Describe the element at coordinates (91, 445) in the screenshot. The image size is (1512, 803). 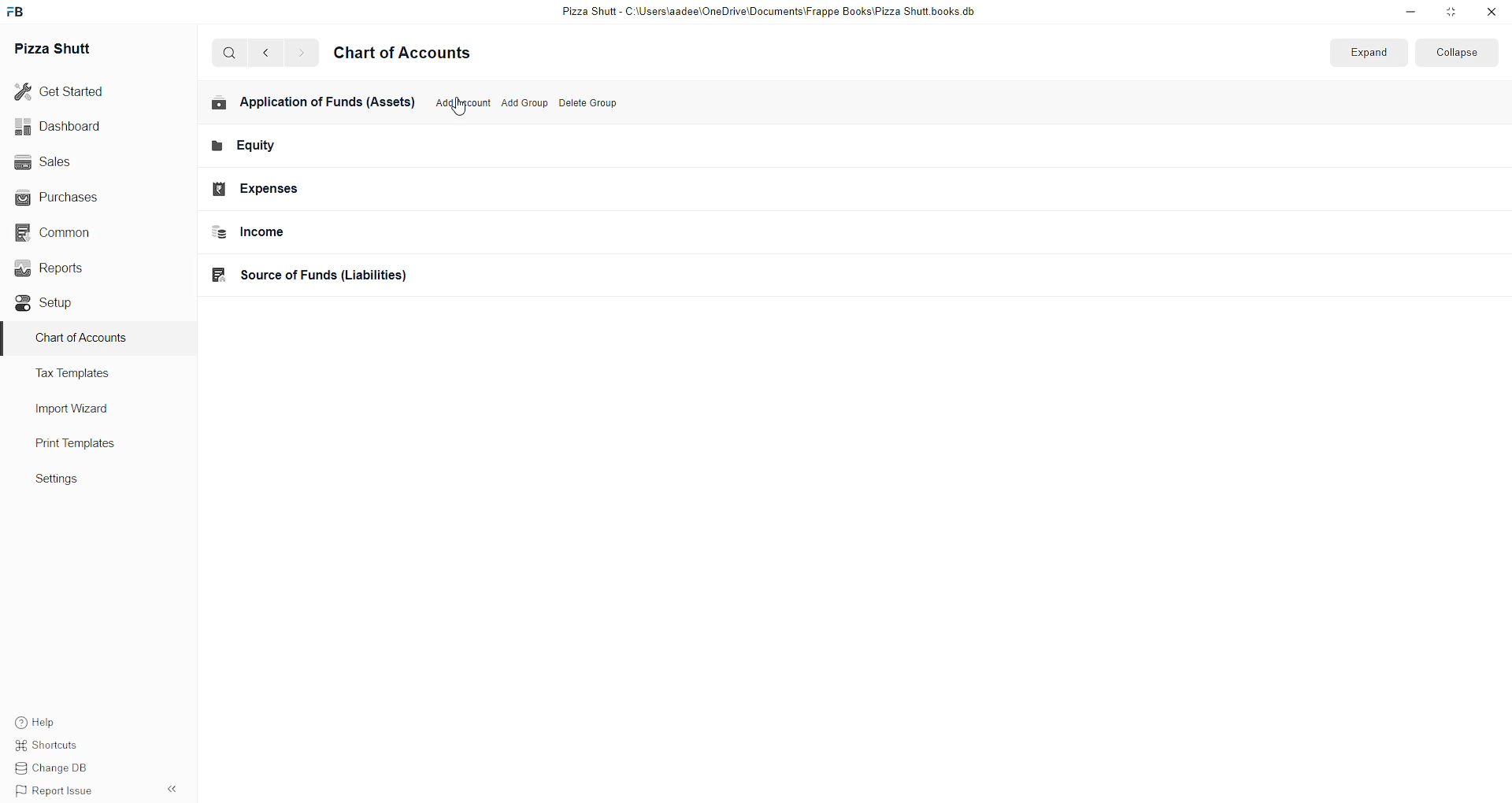
I see `Print Templates ` at that location.